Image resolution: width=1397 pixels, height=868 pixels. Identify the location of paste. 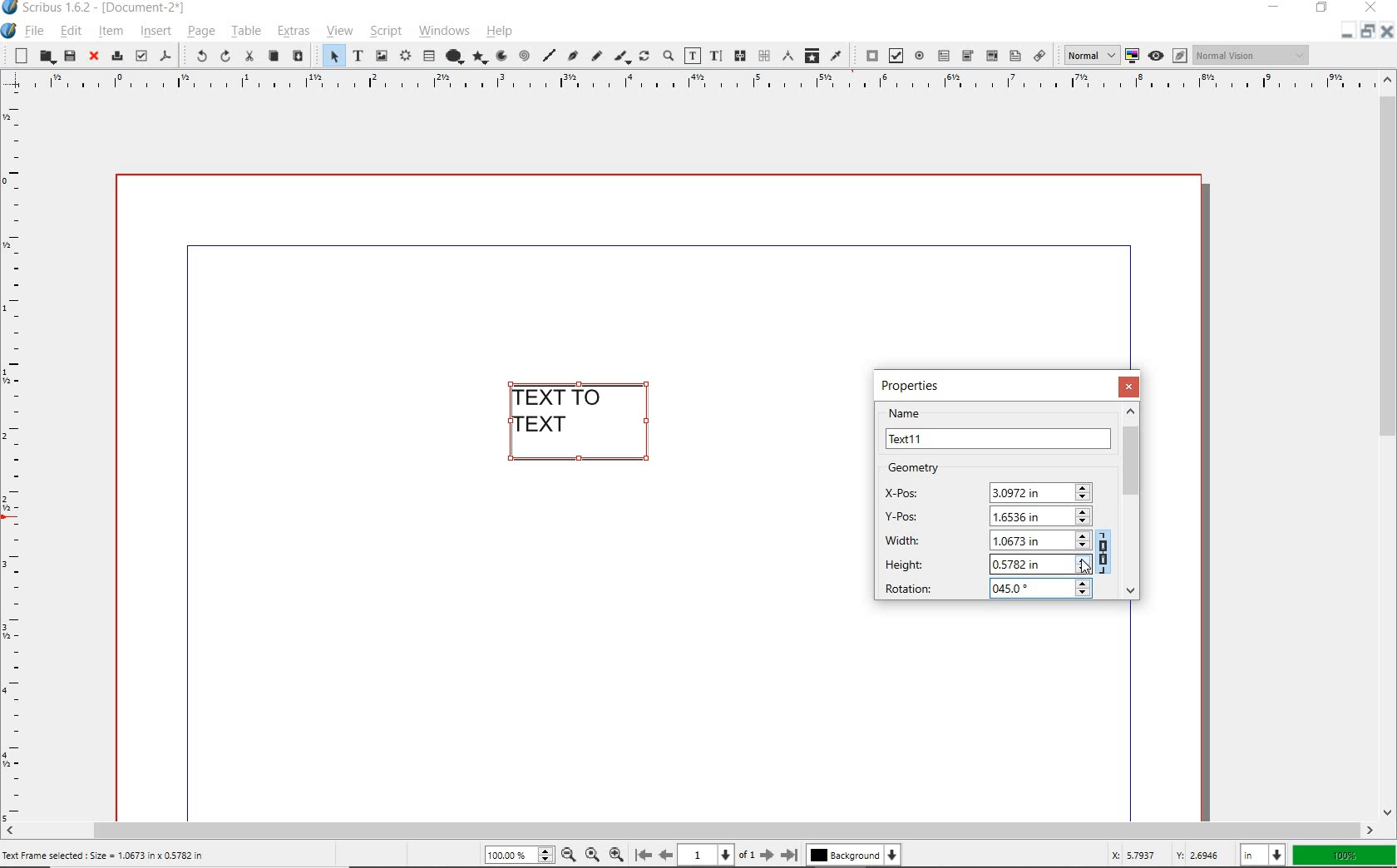
(298, 56).